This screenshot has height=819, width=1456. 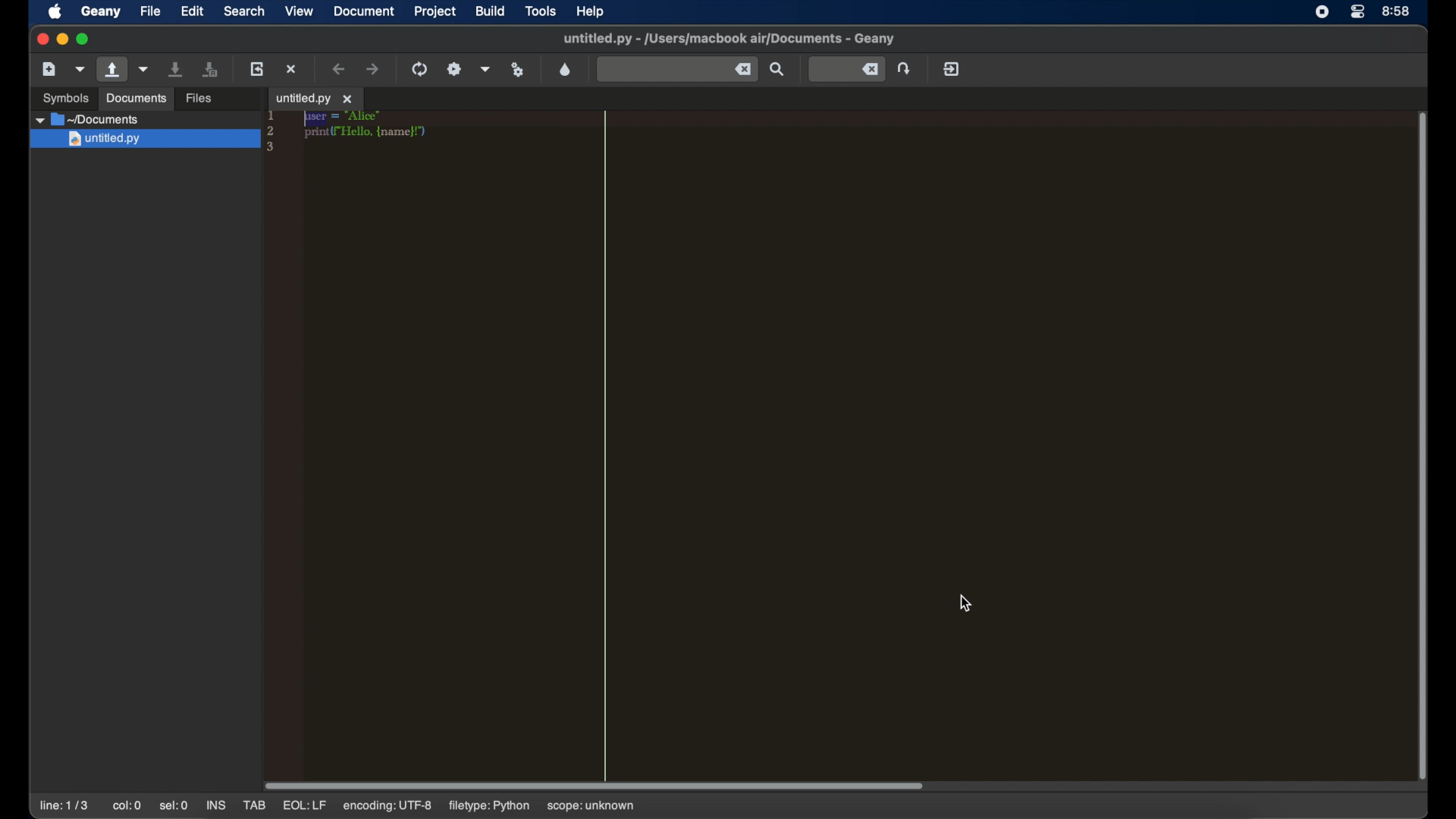 What do you see at coordinates (145, 140) in the screenshot?
I see `untitled.py` at bounding box center [145, 140].